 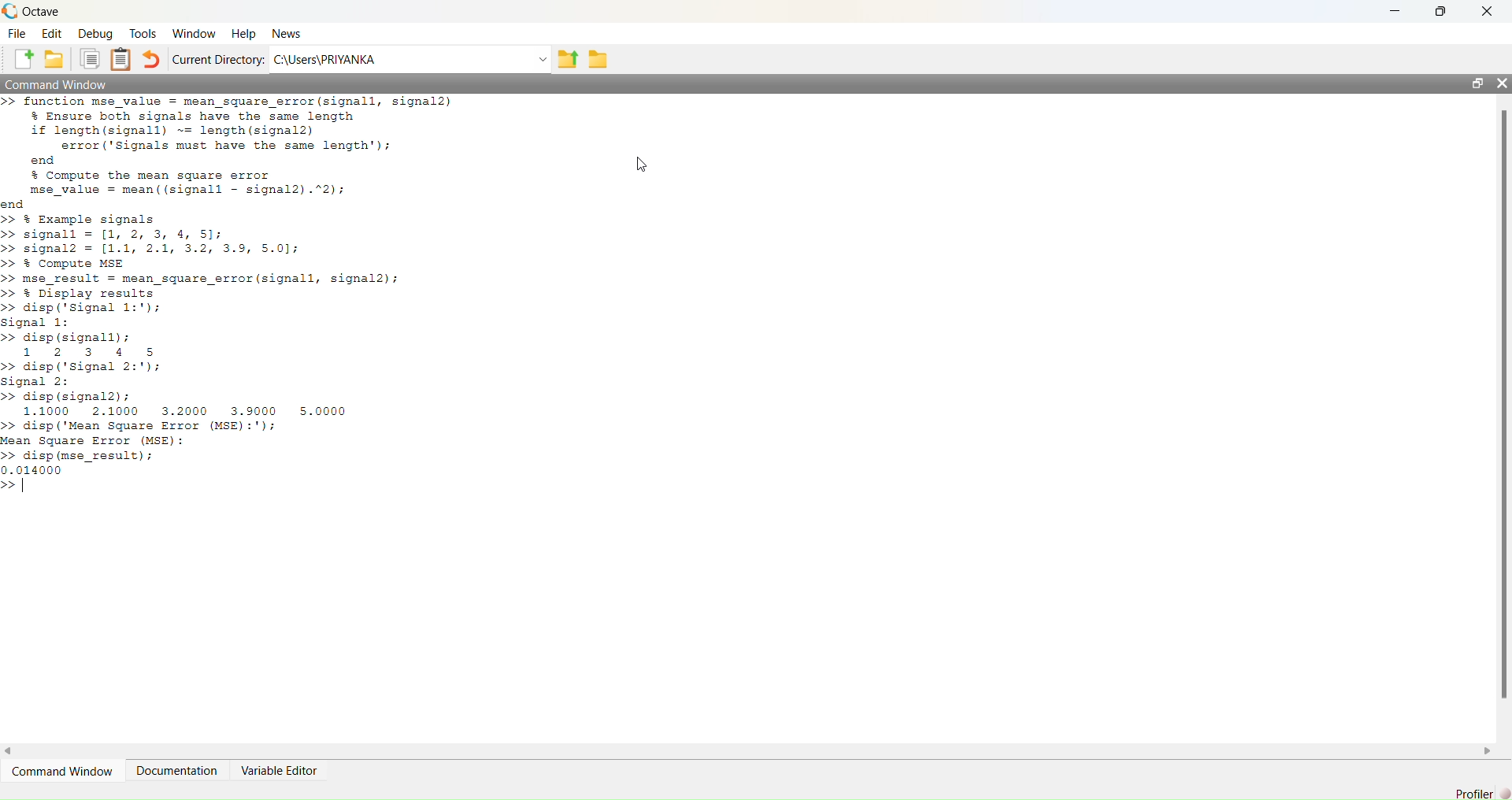 I want to click on share folder, so click(x=569, y=58).